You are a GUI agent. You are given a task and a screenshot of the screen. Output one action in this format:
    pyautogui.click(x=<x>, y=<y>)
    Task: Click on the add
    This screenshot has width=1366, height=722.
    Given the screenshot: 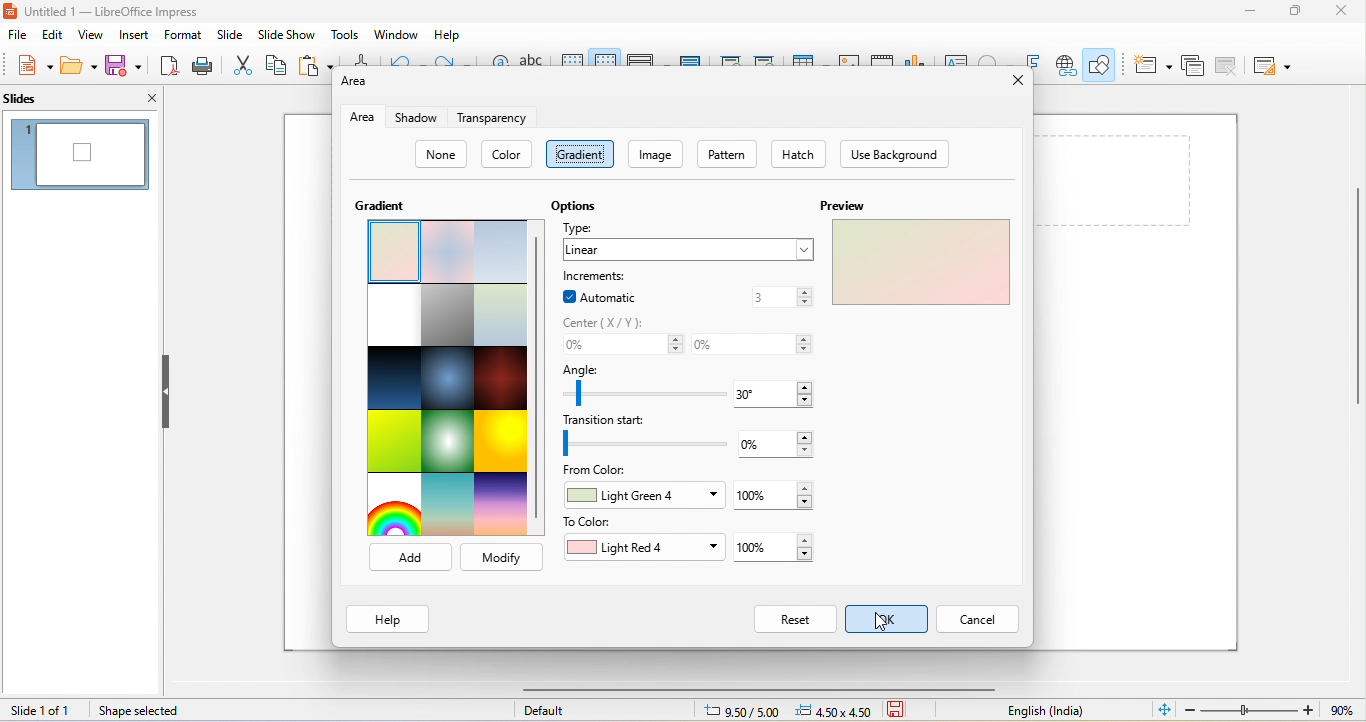 What is the action you would take?
    pyautogui.click(x=409, y=559)
    